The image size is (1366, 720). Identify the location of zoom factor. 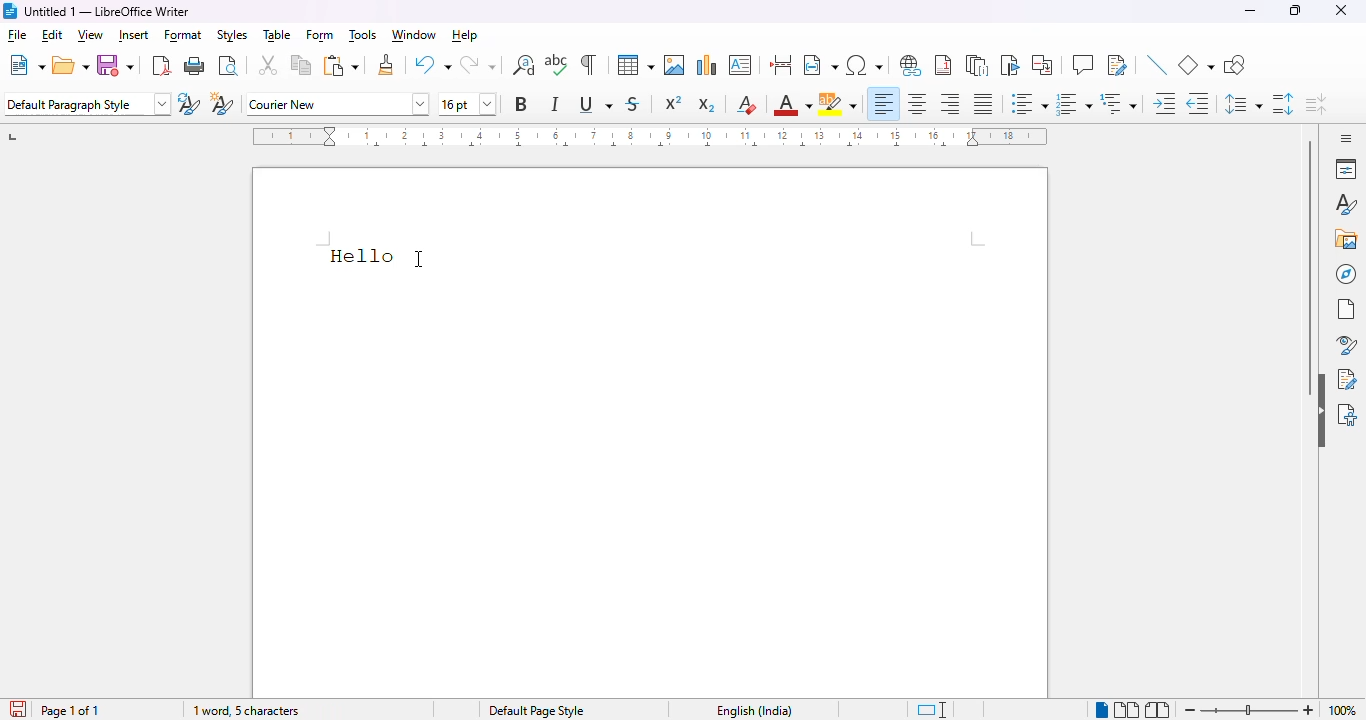
(1343, 710).